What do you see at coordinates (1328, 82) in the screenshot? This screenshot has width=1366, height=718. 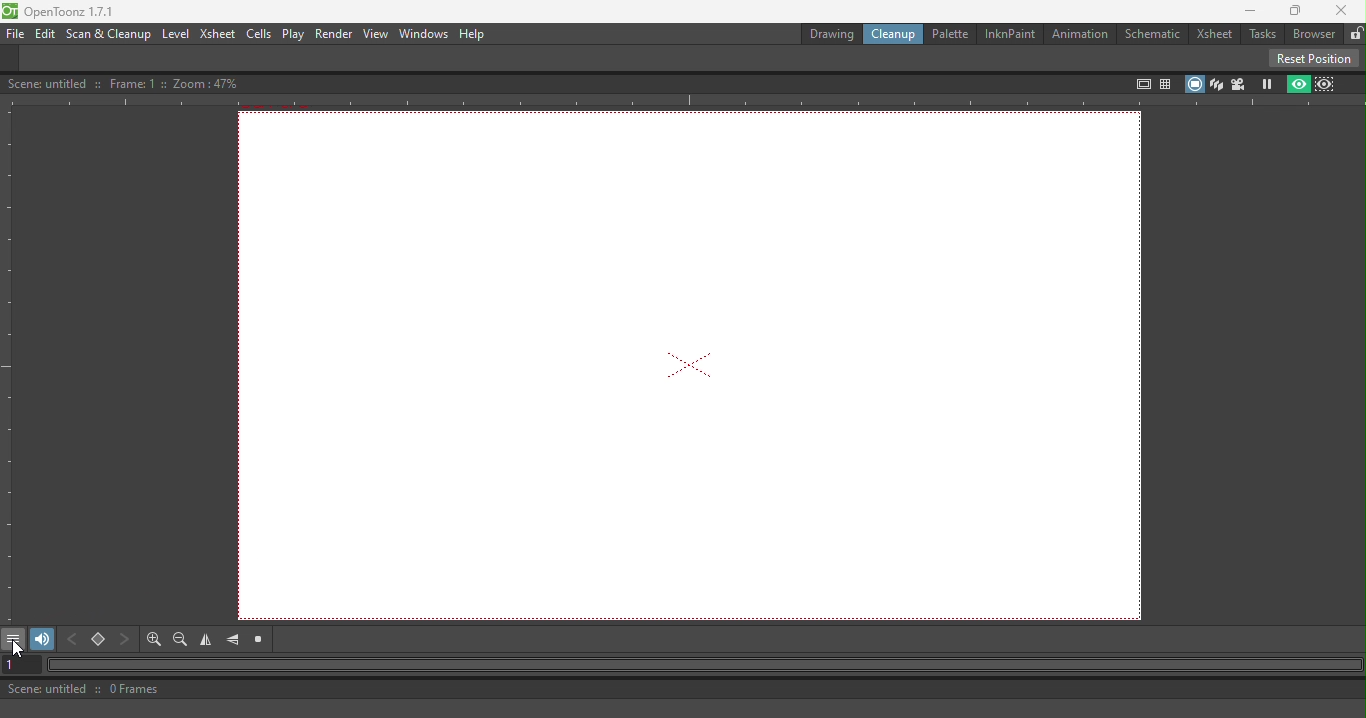 I see `Sub-camera view` at bounding box center [1328, 82].